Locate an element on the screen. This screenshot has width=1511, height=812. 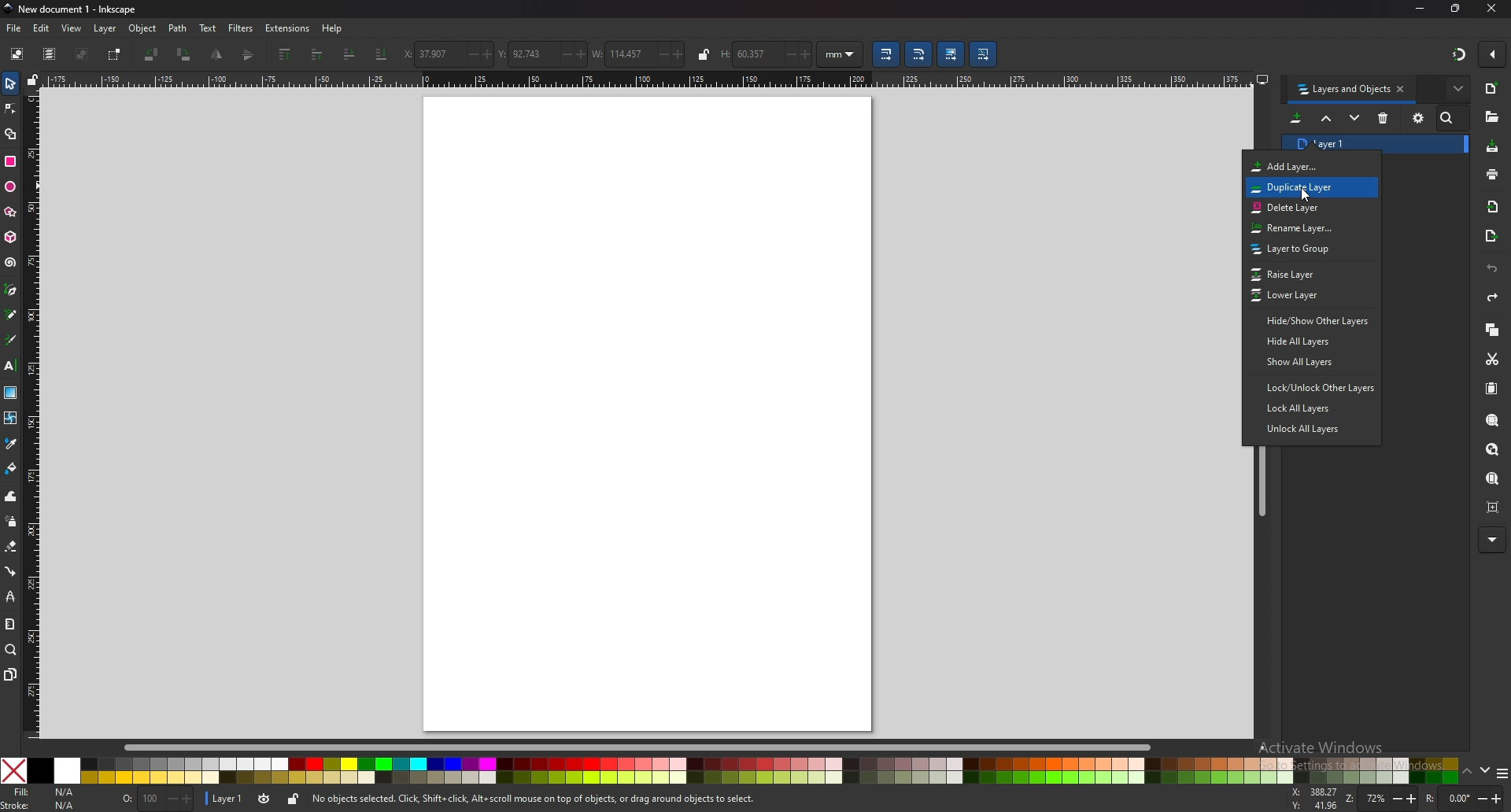
new is located at coordinates (1492, 88).